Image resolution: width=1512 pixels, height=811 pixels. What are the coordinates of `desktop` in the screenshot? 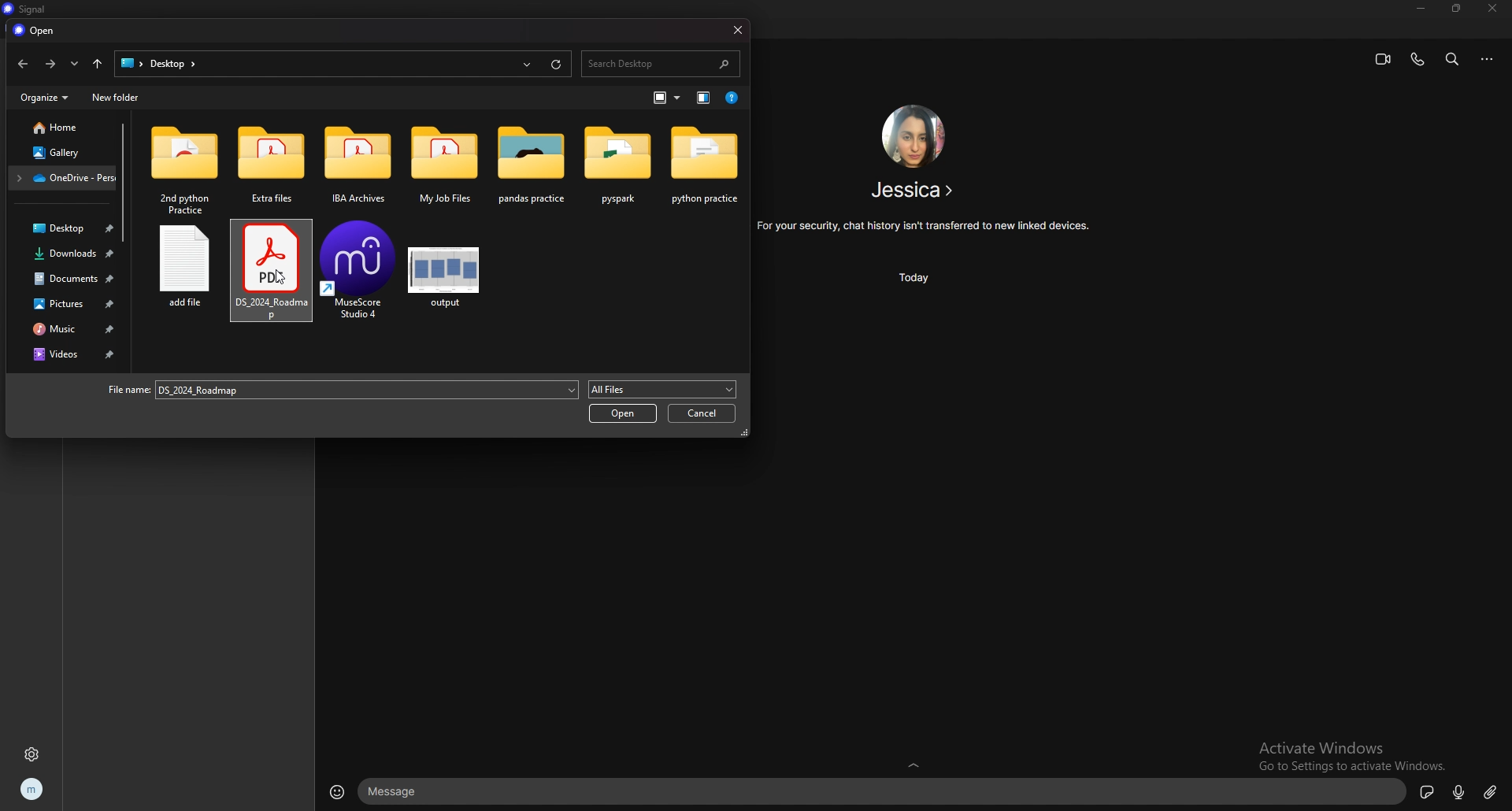 It's located at (130, 63).